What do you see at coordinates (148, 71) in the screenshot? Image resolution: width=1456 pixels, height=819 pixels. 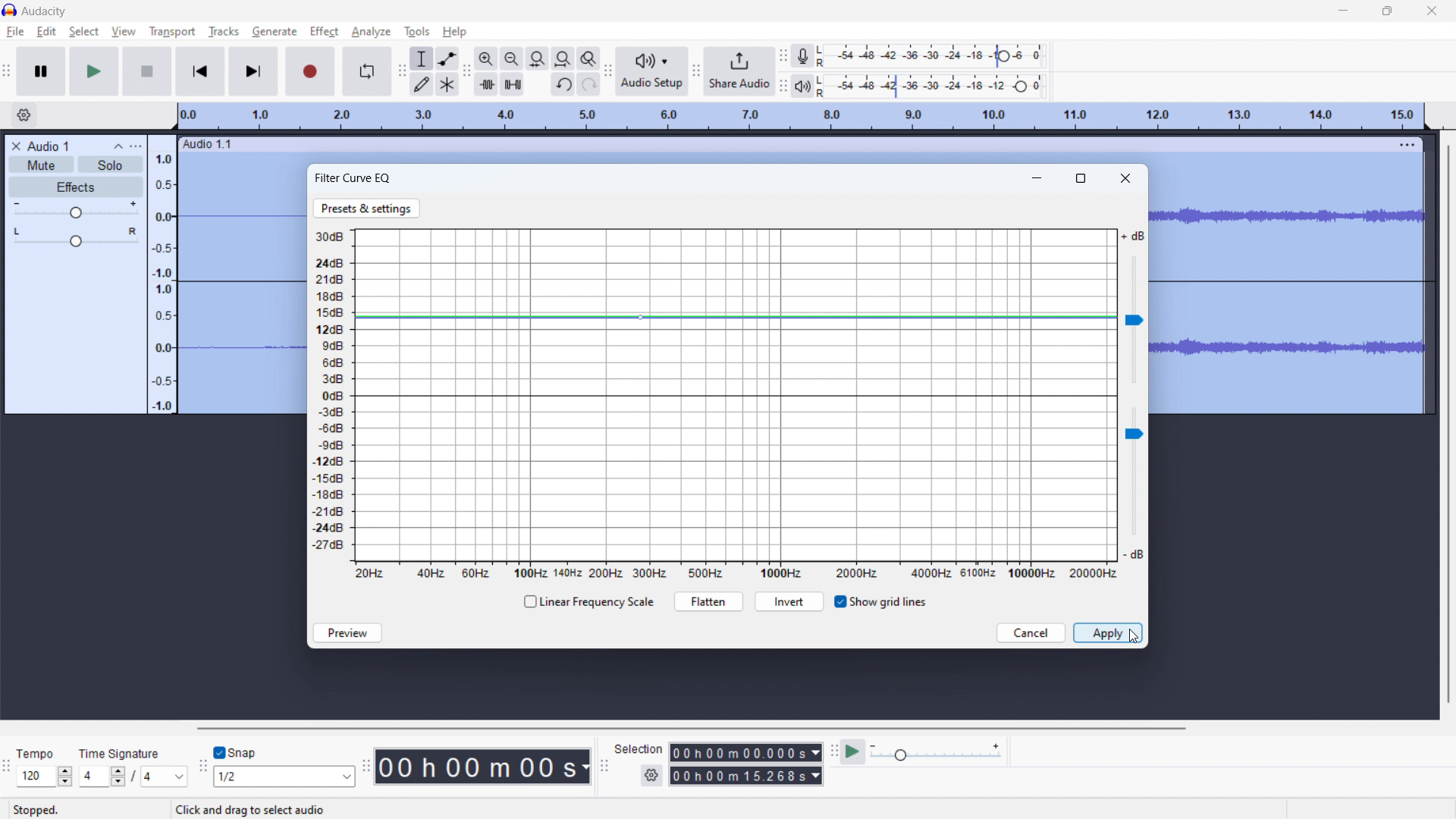 I see `stop` at bounding box center [148, 71].